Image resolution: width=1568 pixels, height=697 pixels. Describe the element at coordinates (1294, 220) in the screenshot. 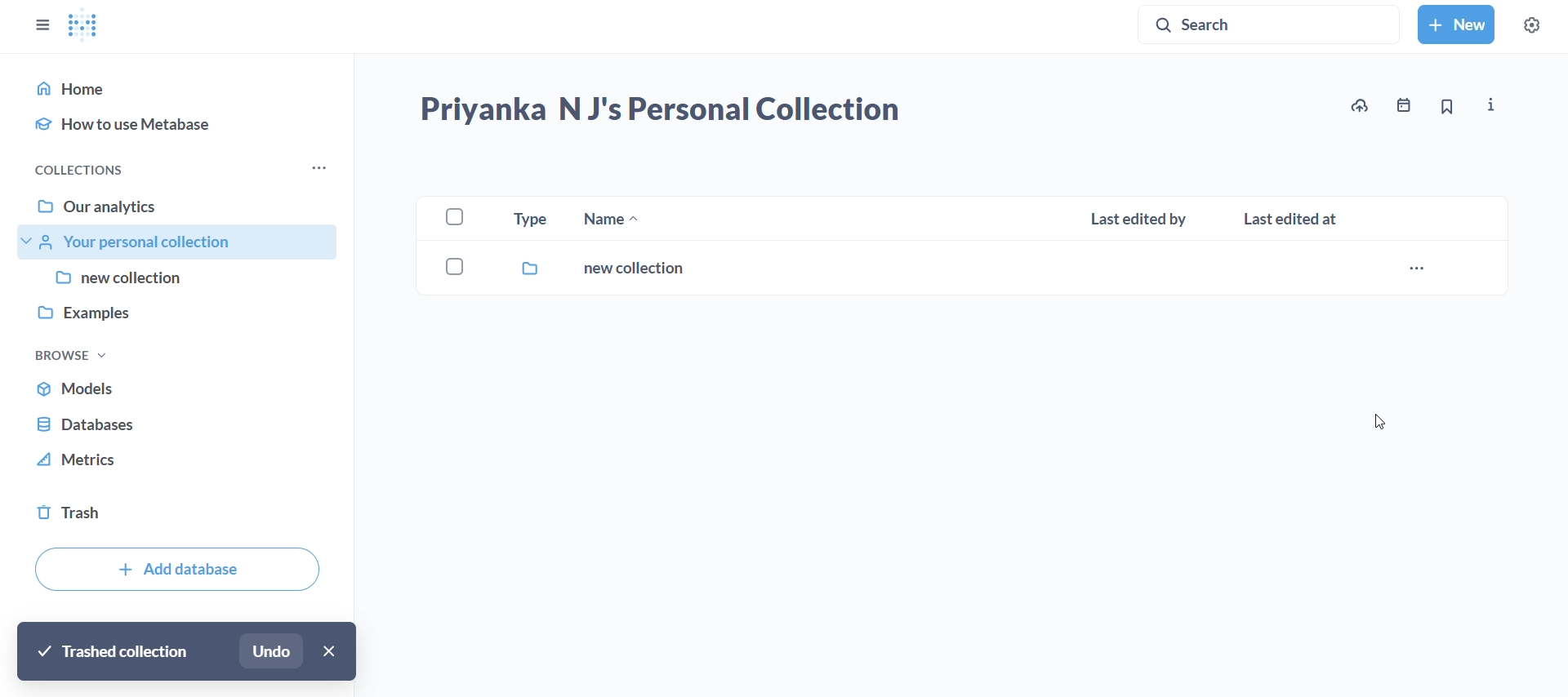

I see `last edited at ` at that location.